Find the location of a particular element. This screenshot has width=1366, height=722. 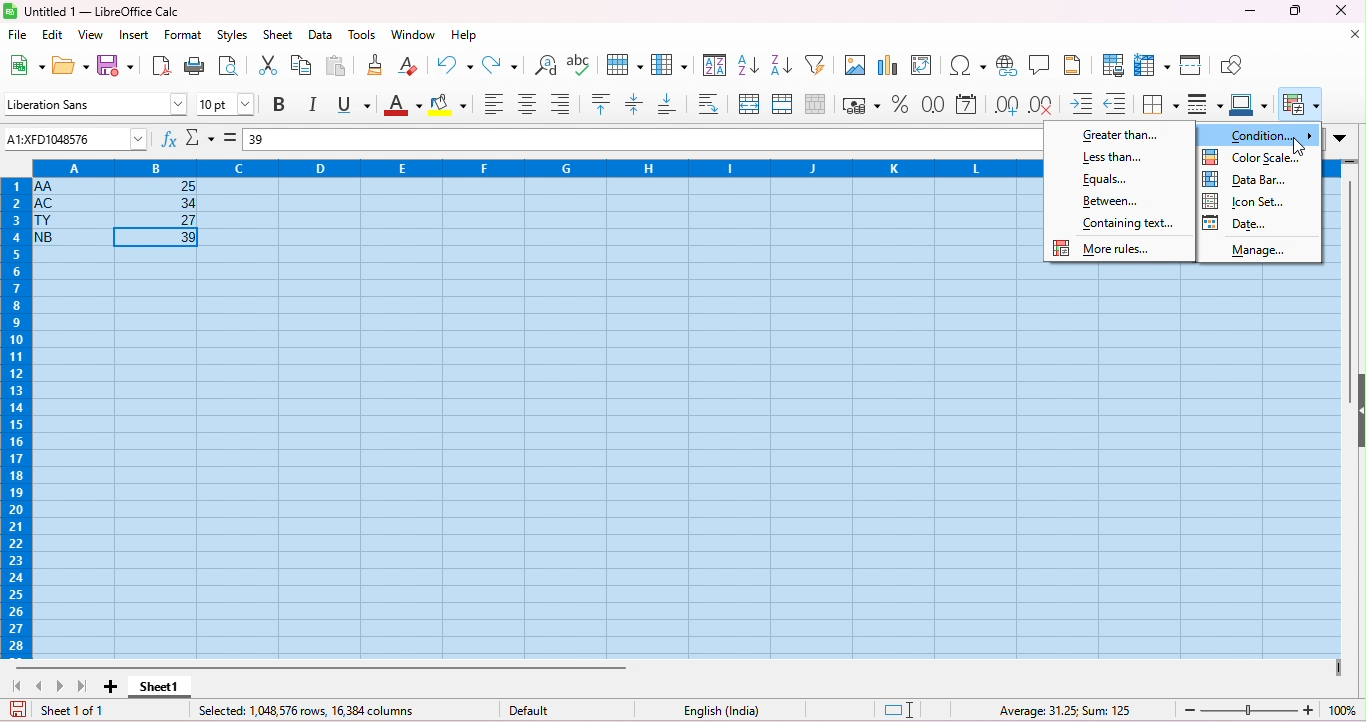

selected row and columns is located at coordinates (308, 710).